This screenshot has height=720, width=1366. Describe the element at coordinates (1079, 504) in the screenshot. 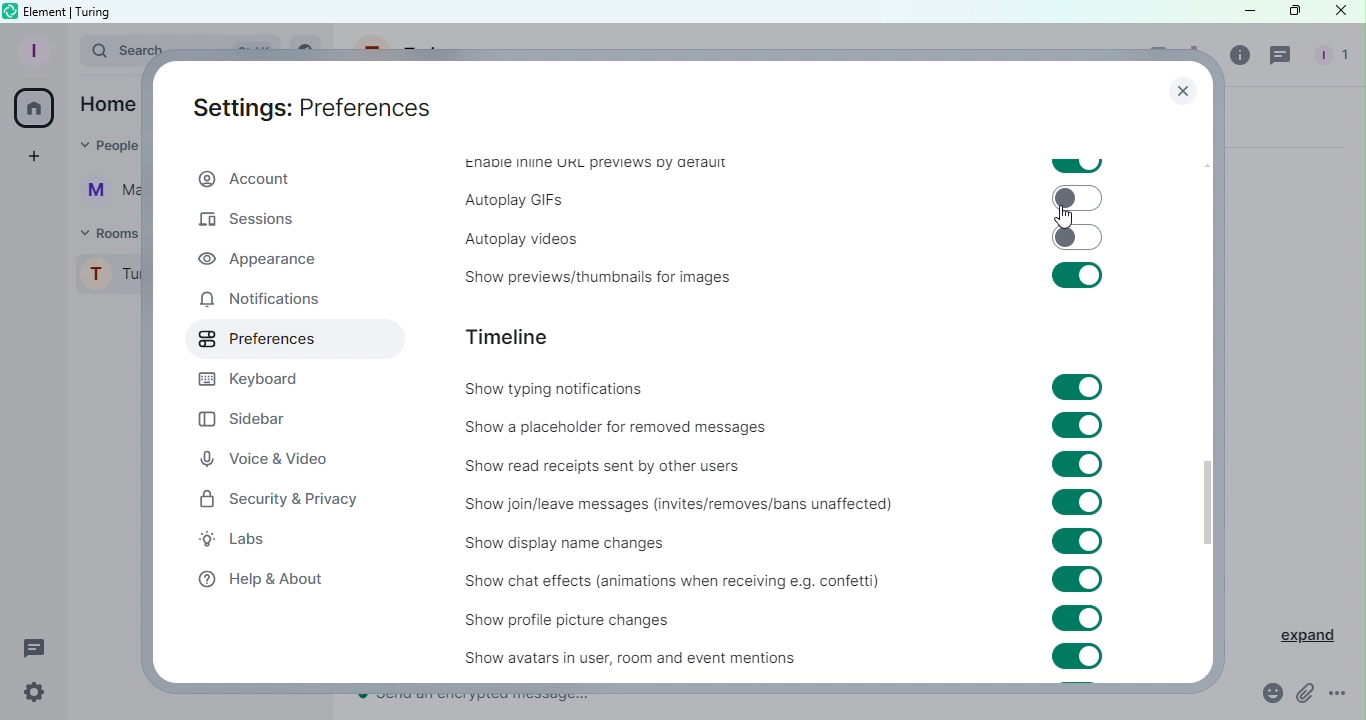

I see `Toggle` at that location.